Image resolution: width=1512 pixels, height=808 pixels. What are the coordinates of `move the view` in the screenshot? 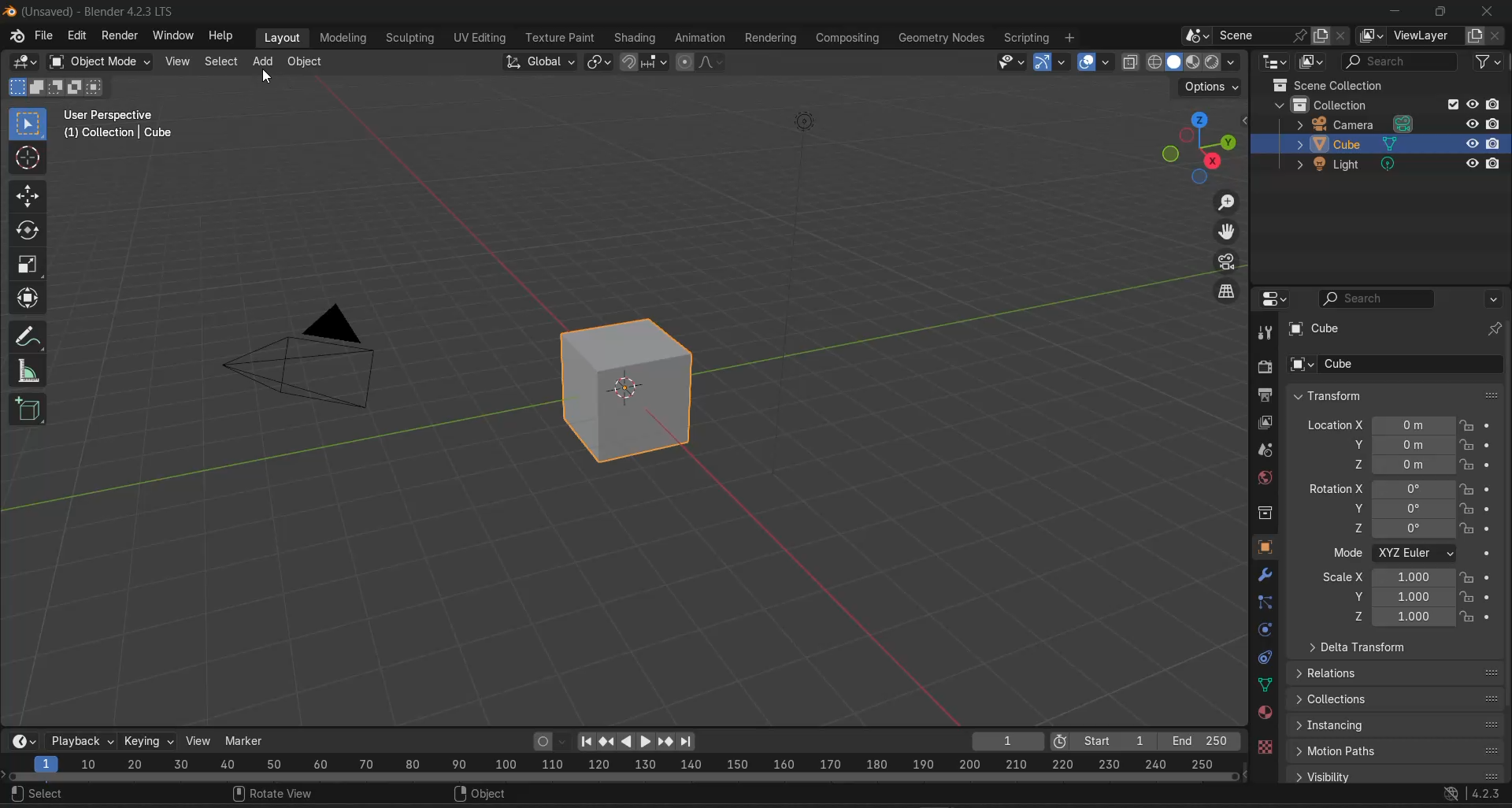 It's located at (1230, 233).